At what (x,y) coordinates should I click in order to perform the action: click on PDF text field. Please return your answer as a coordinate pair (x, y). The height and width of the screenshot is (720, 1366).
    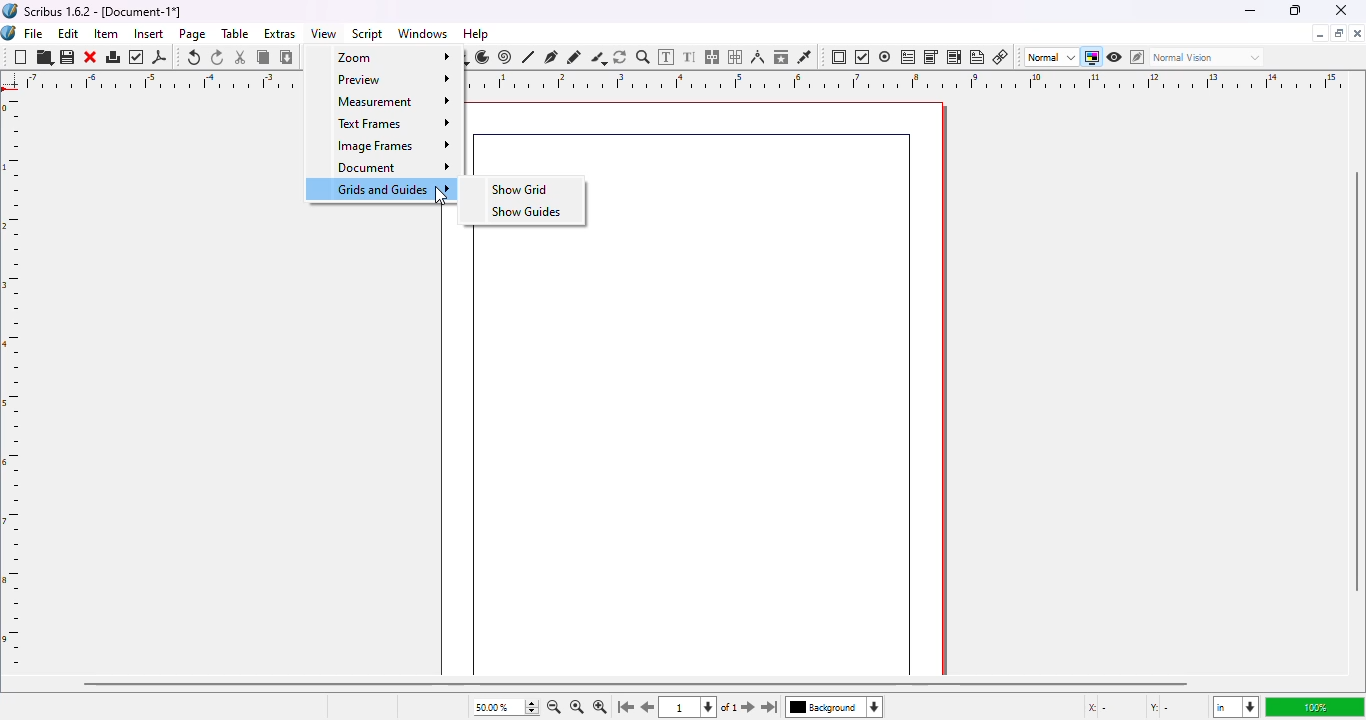
    Looking at the image, I should click on (908, 56).